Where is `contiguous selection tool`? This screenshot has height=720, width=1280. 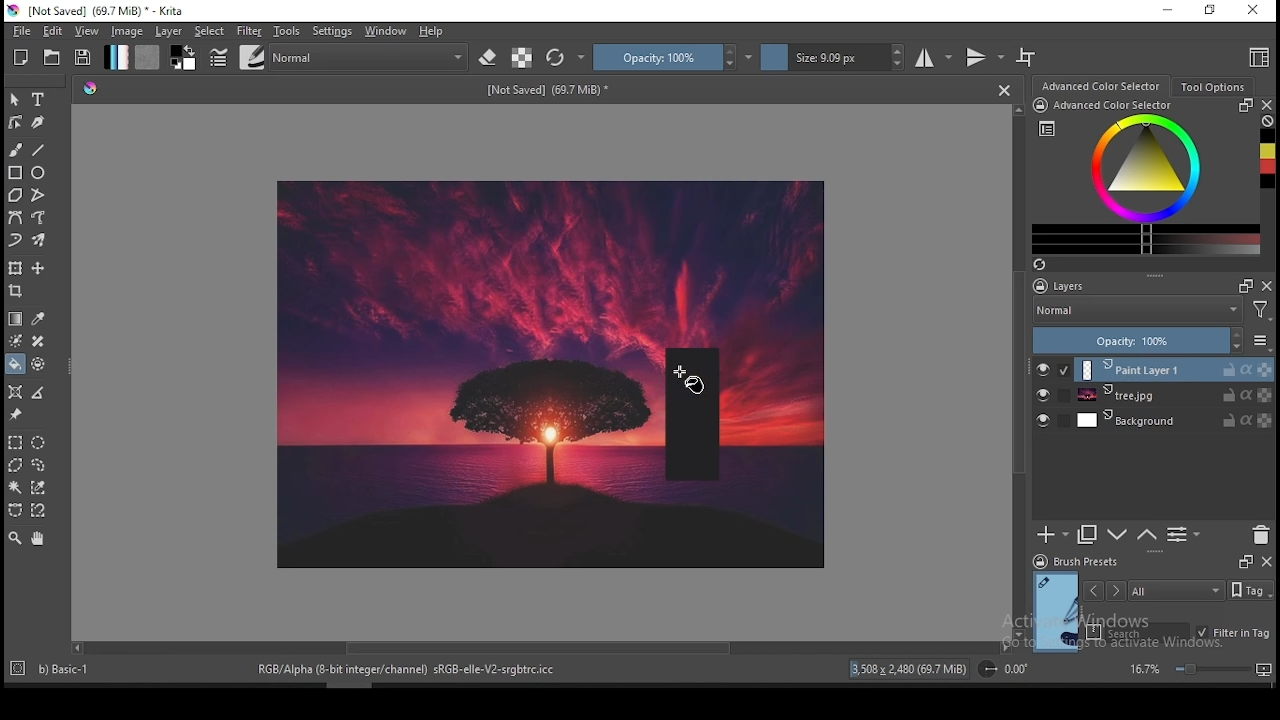
contiguous selection tool is located at coordinates (15, 488).